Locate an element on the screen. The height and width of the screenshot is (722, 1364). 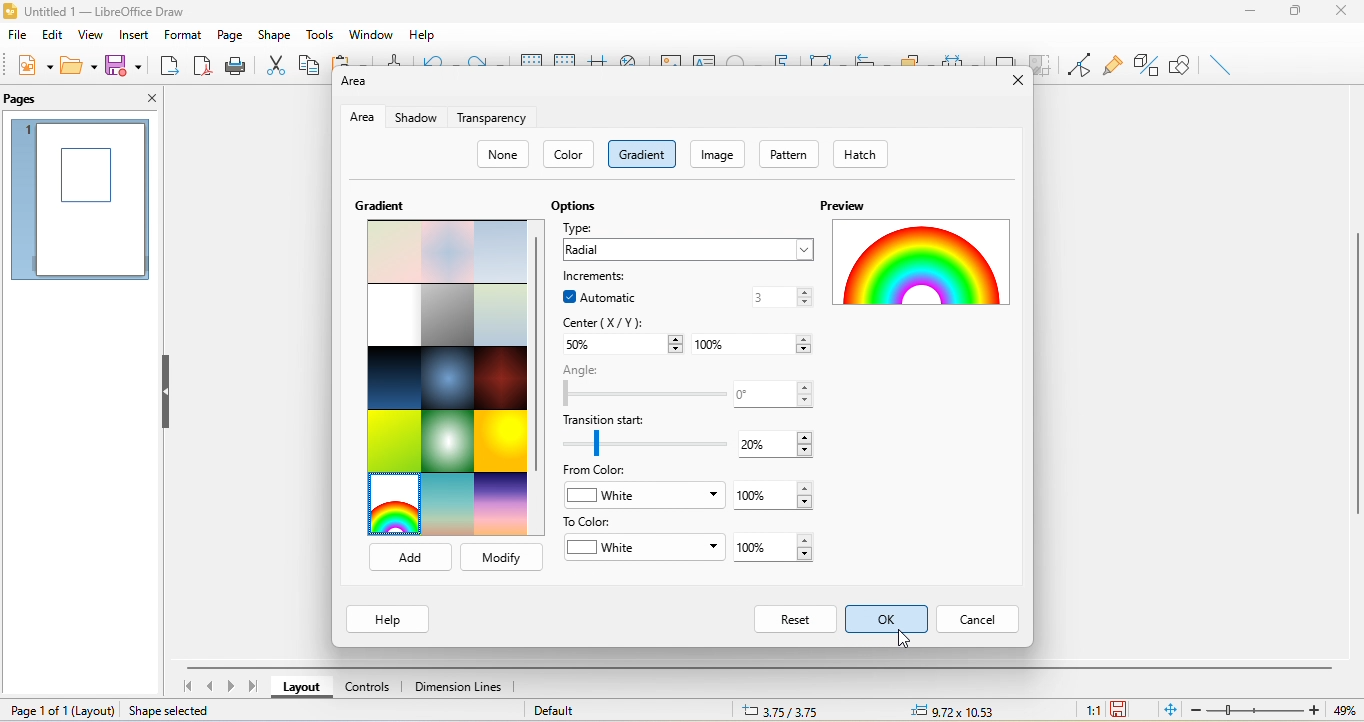
reset is located at coordinates (795, 621).